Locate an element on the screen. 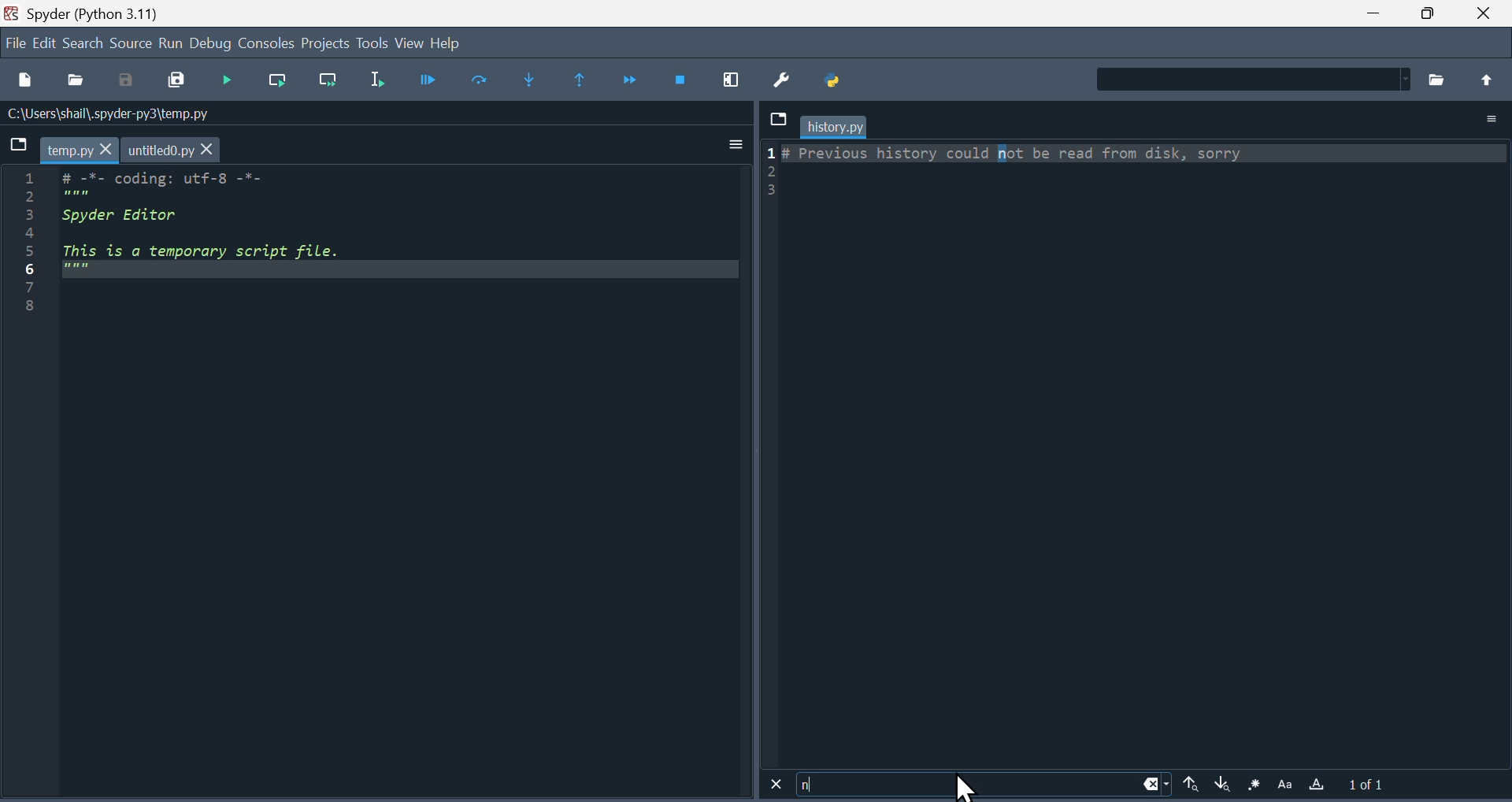 This screenshot has height=802, width=1512. close is located at coordinates (1484, 14).